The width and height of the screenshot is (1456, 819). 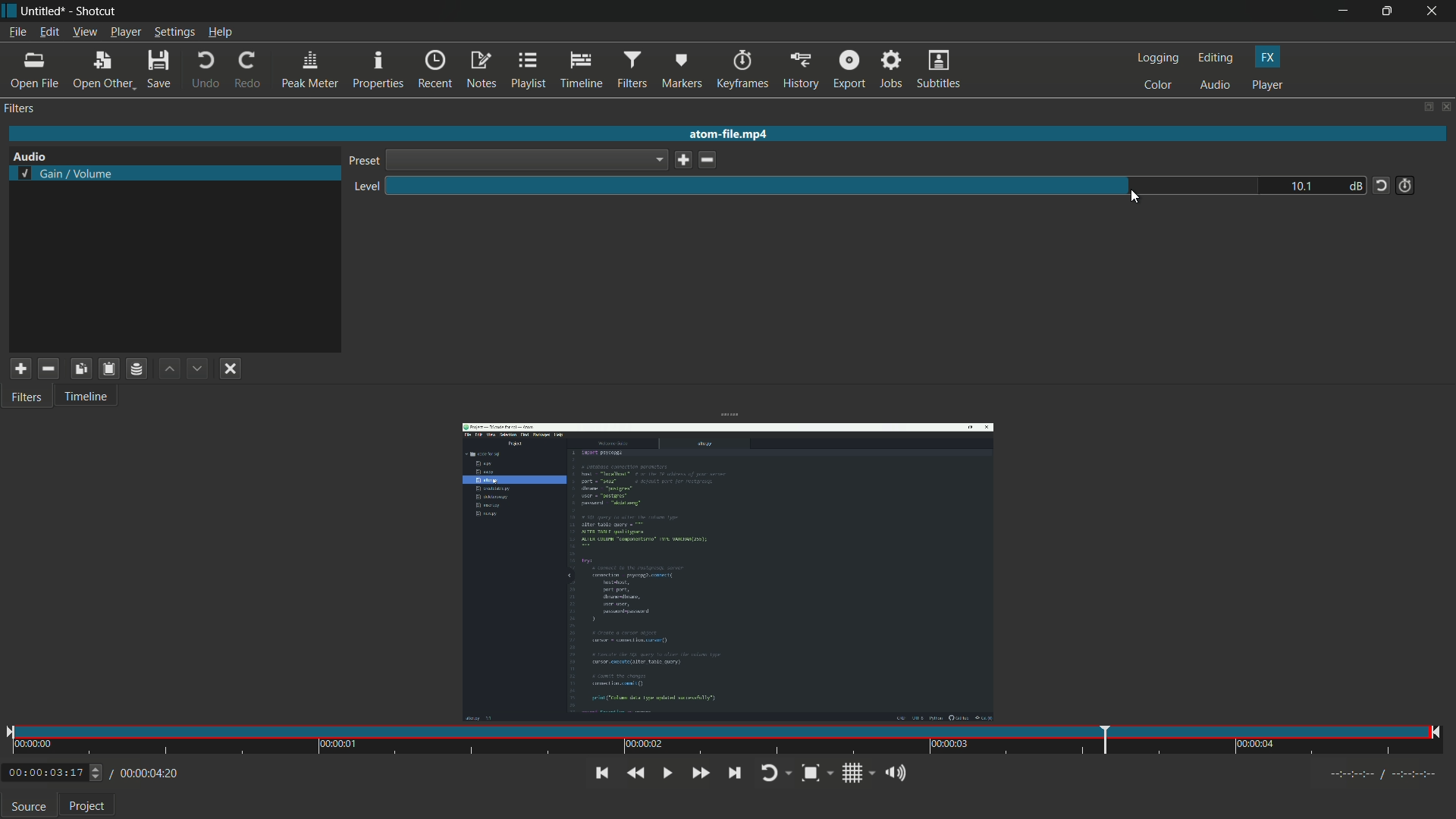 What do you see at coordinates (1381, 185) in the screenshot?
I see `reset tot default` at bounding box center [1381, 185].